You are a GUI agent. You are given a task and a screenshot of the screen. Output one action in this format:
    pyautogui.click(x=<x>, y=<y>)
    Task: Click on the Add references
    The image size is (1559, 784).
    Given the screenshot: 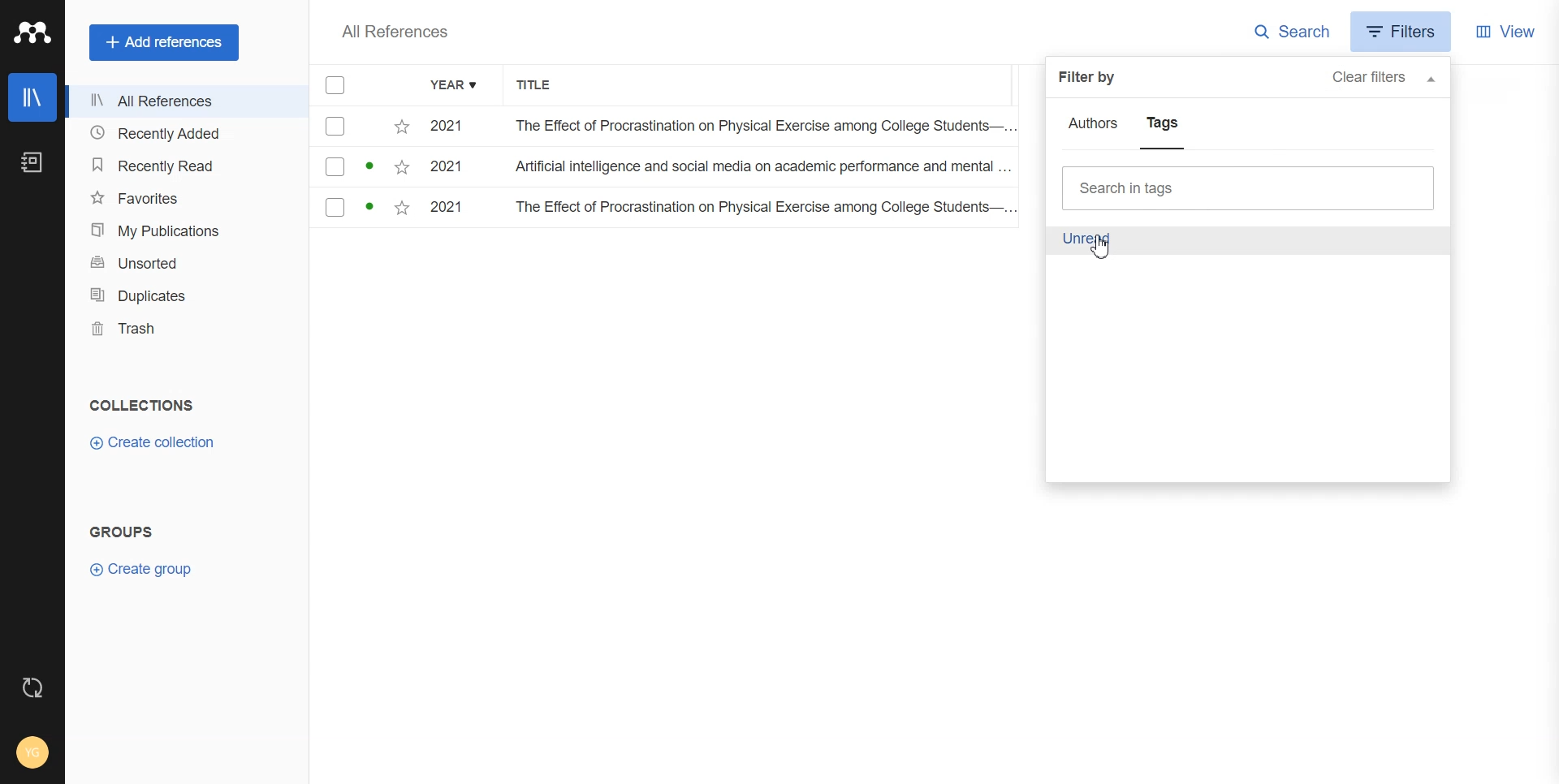 What is the action you would take?
    pyautogui.click(x=166, y=42)
    